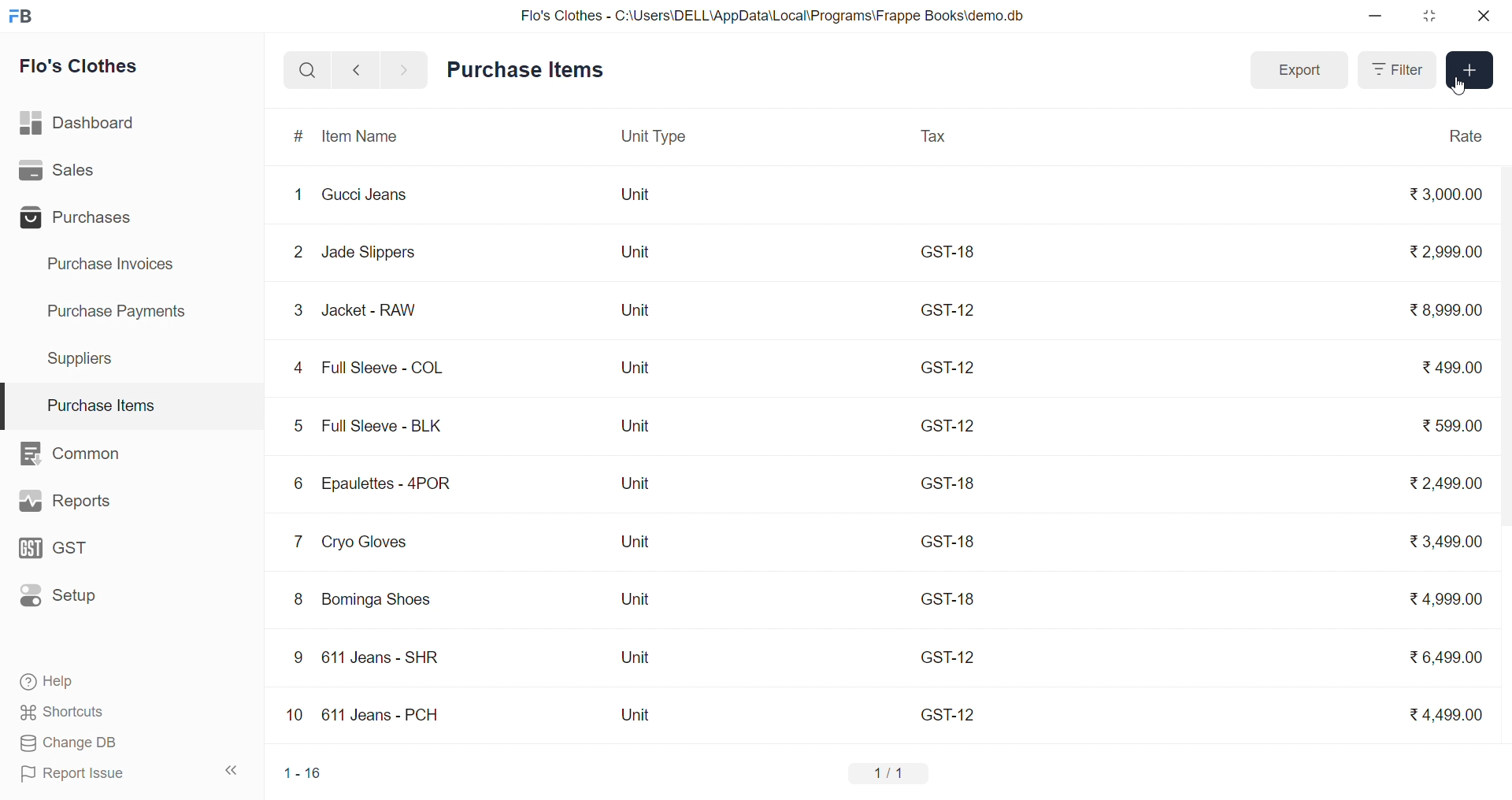  Describe the element at coordinates (20, 17) in the screenshot. I see `logo` at that location.